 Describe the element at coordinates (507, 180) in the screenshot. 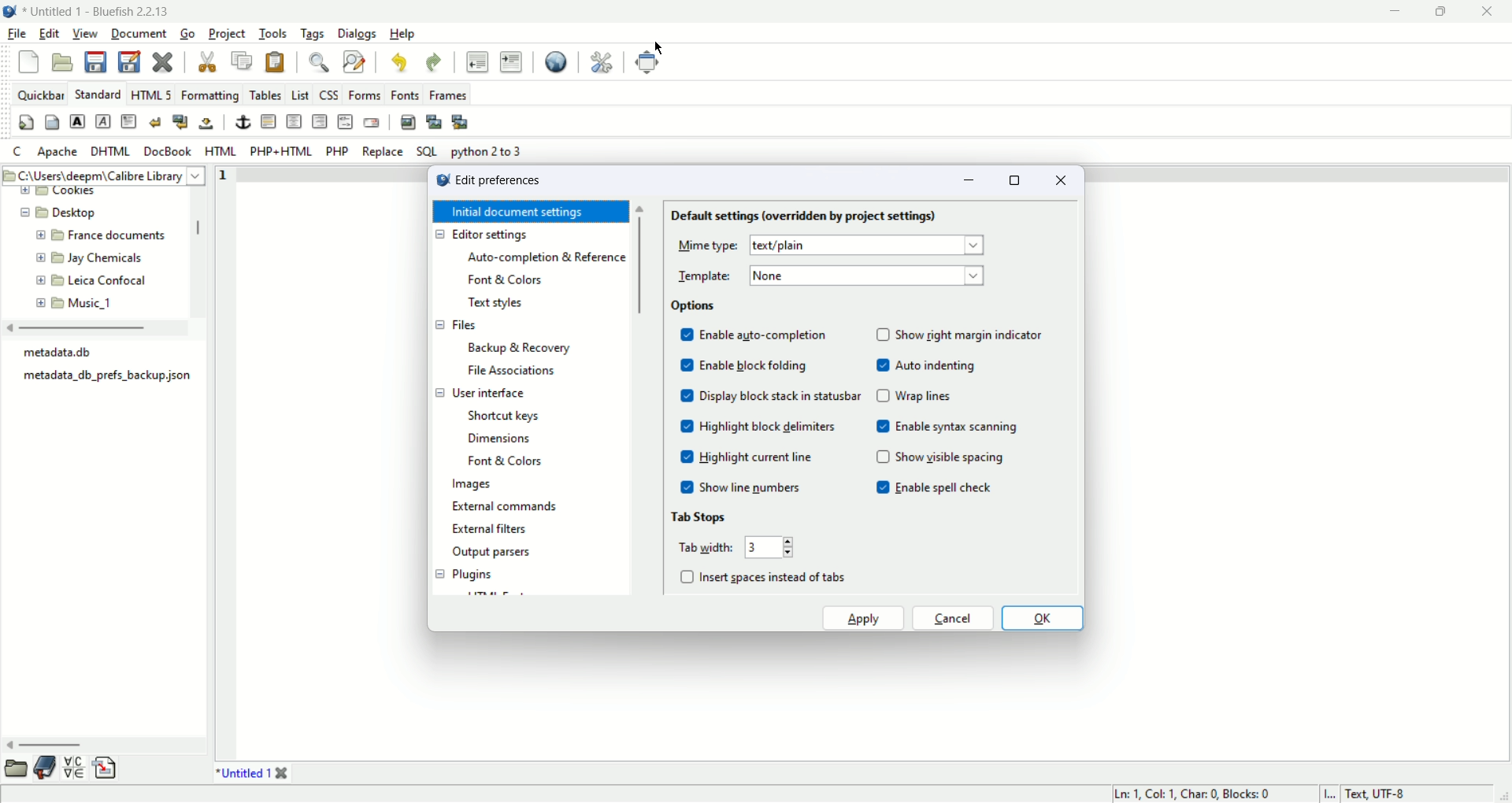

I see `Edit preferences` at that location.